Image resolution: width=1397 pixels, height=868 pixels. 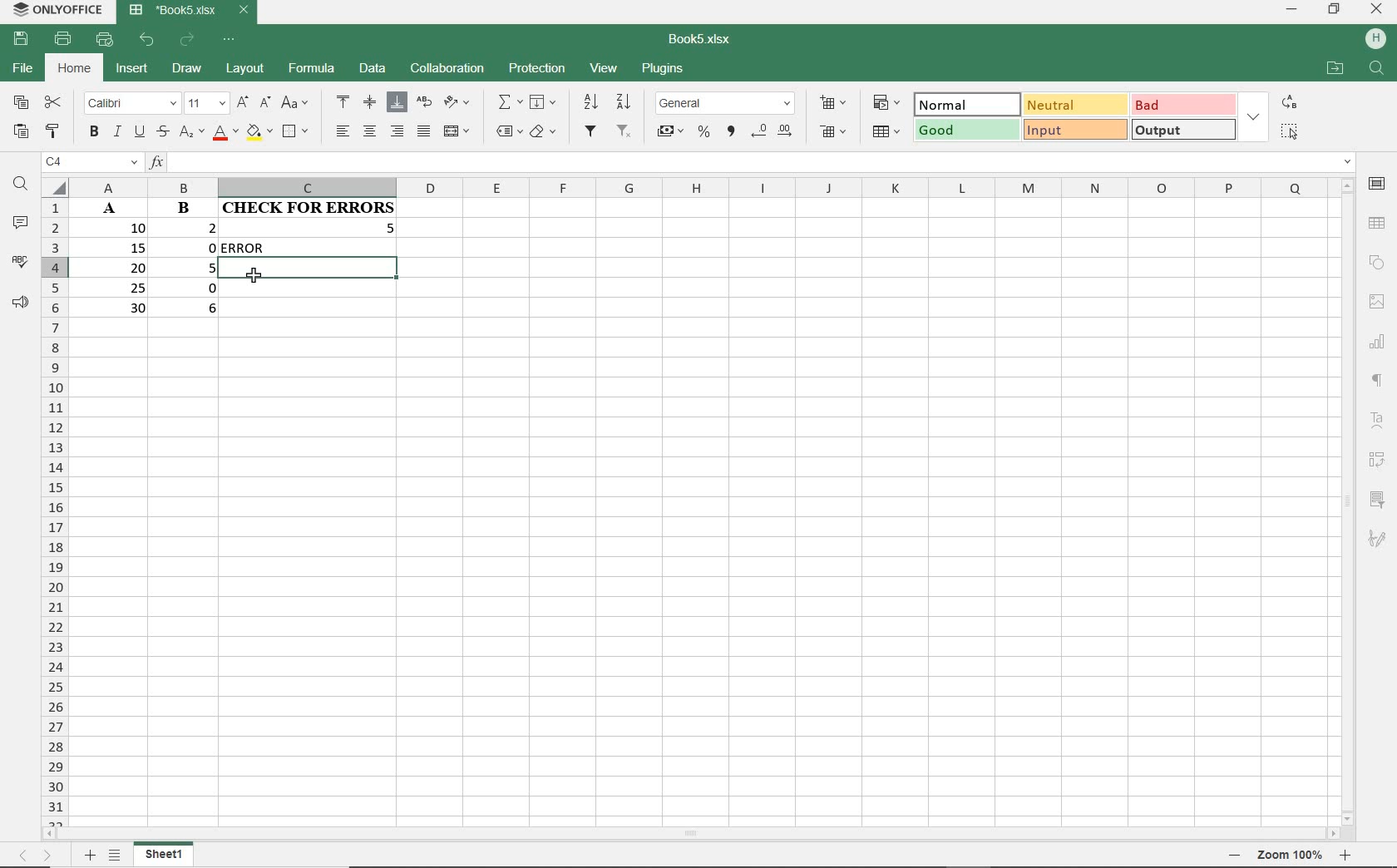 What do you see at coordinates (37, 855) in the screenshot?
I see `` at bounding box center [37, 855].